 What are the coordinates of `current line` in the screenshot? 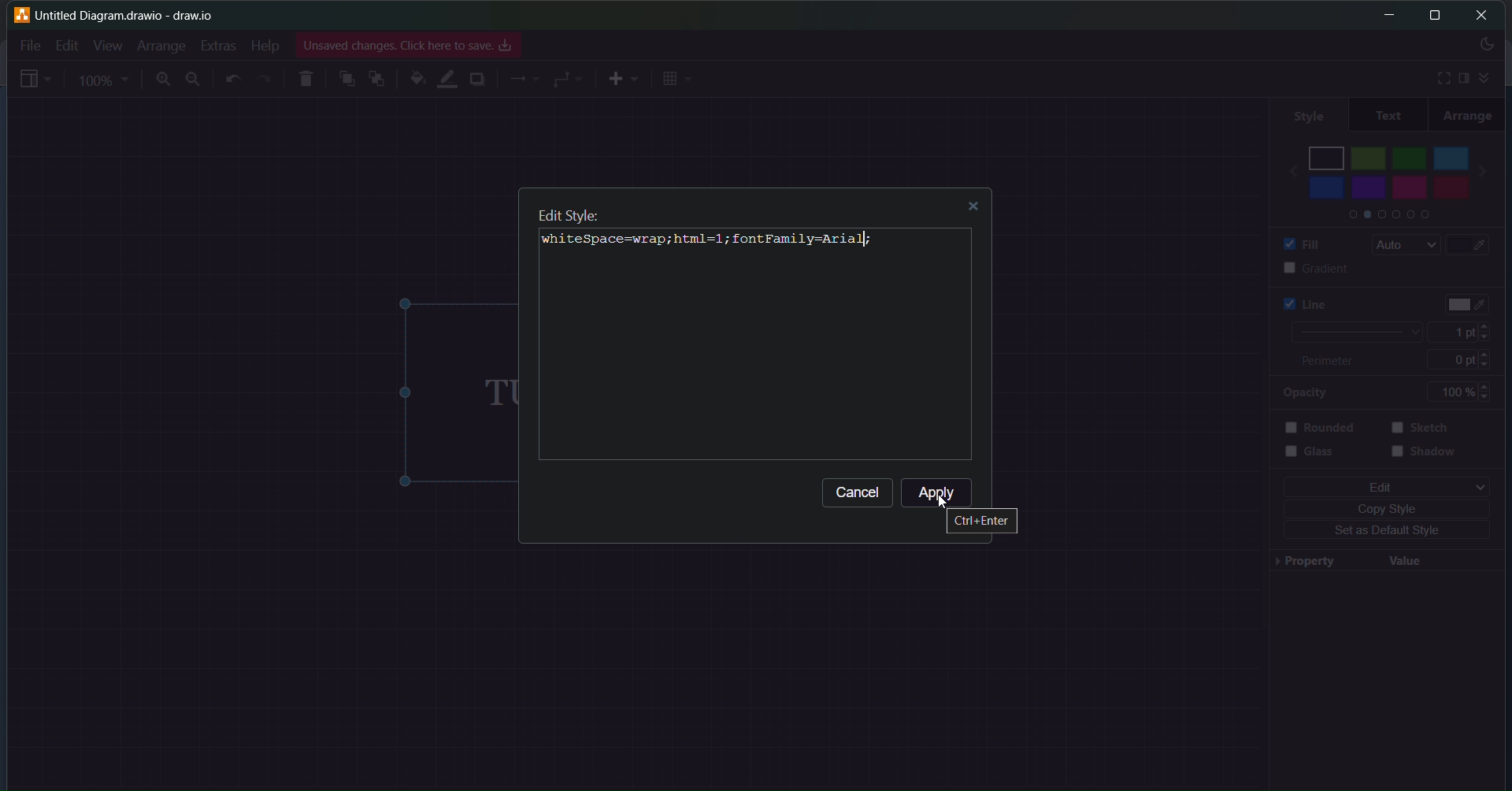 It's located at (1352, 332).